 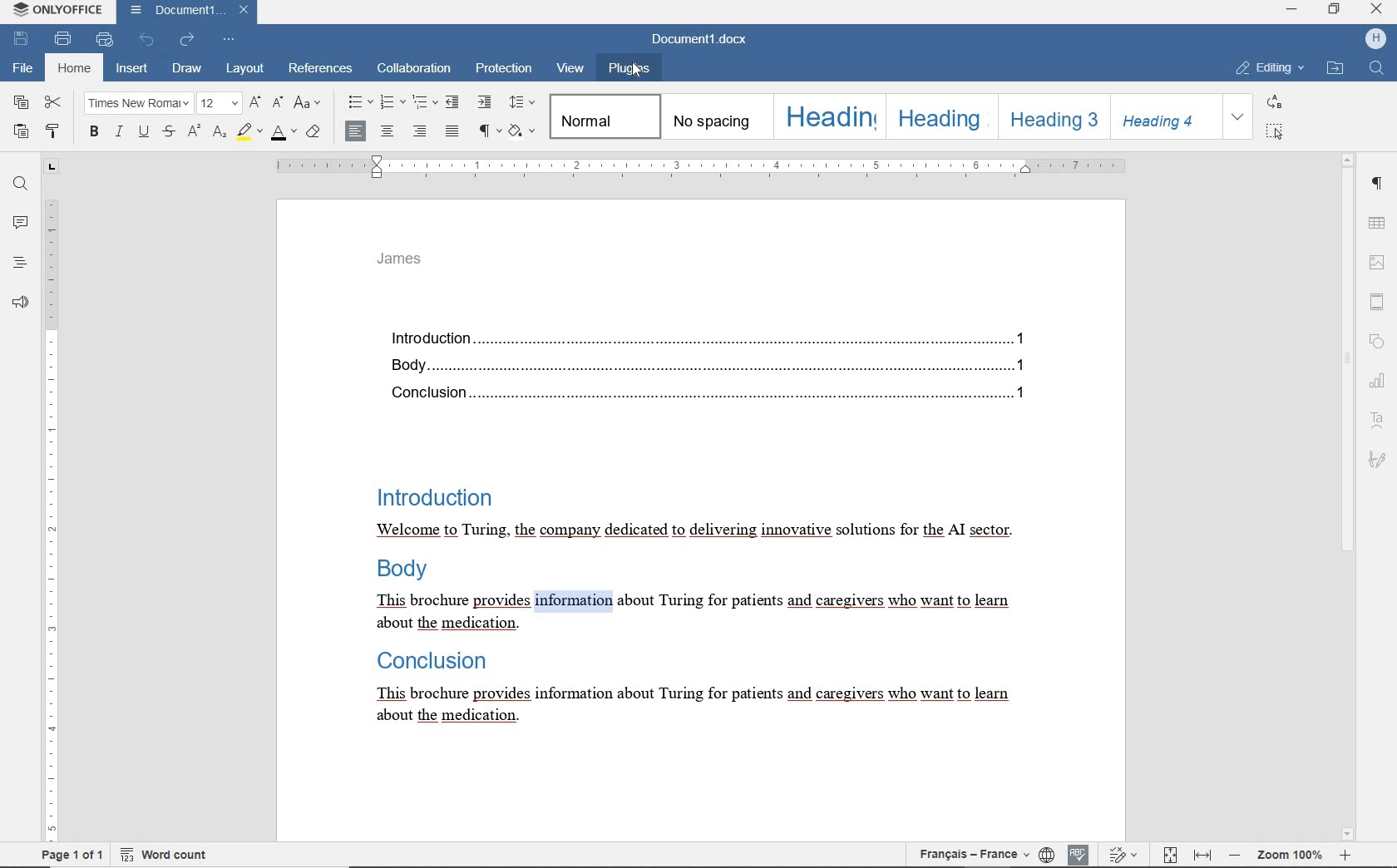 What do you see at coordinates (689, 614) in the screenshot?
I see `This brochure provides information about Turing for patients and caregivers who want to learnabout the medication.` at bounding box center [689, 614].